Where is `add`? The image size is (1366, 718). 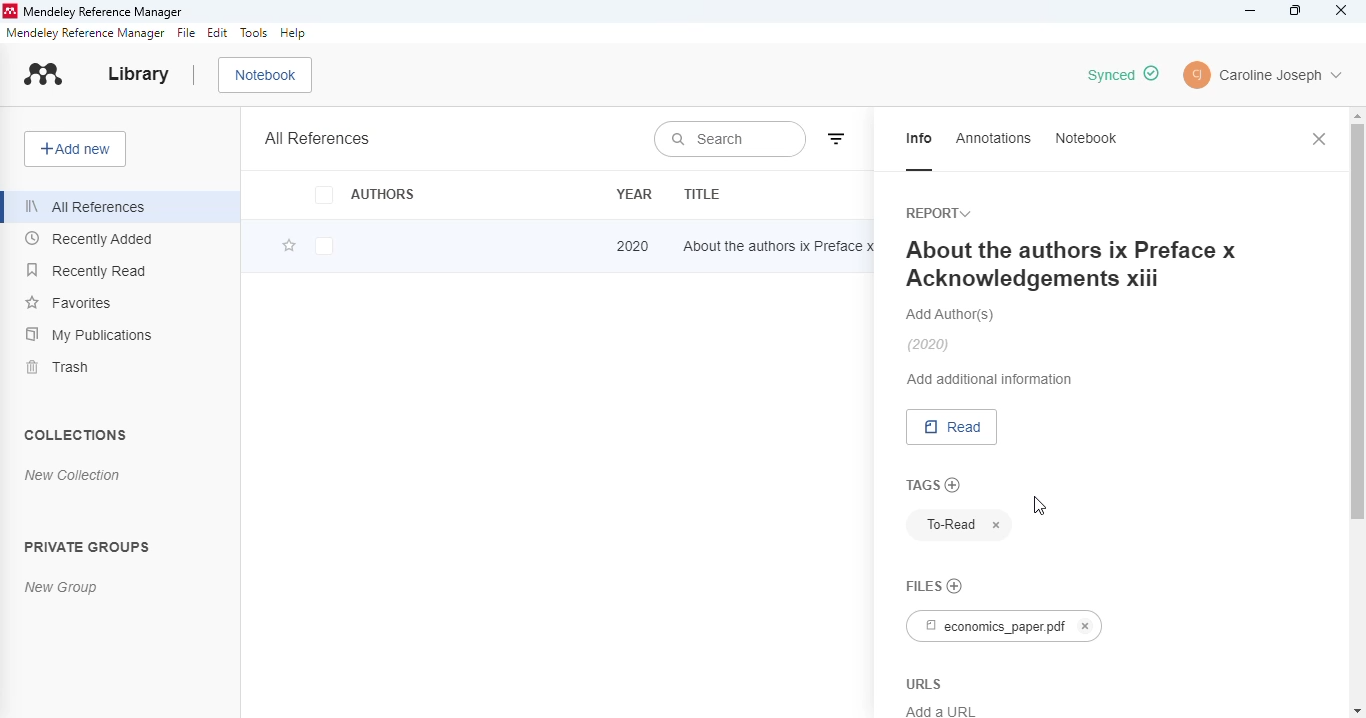 add is located at coordinates (954, 485).